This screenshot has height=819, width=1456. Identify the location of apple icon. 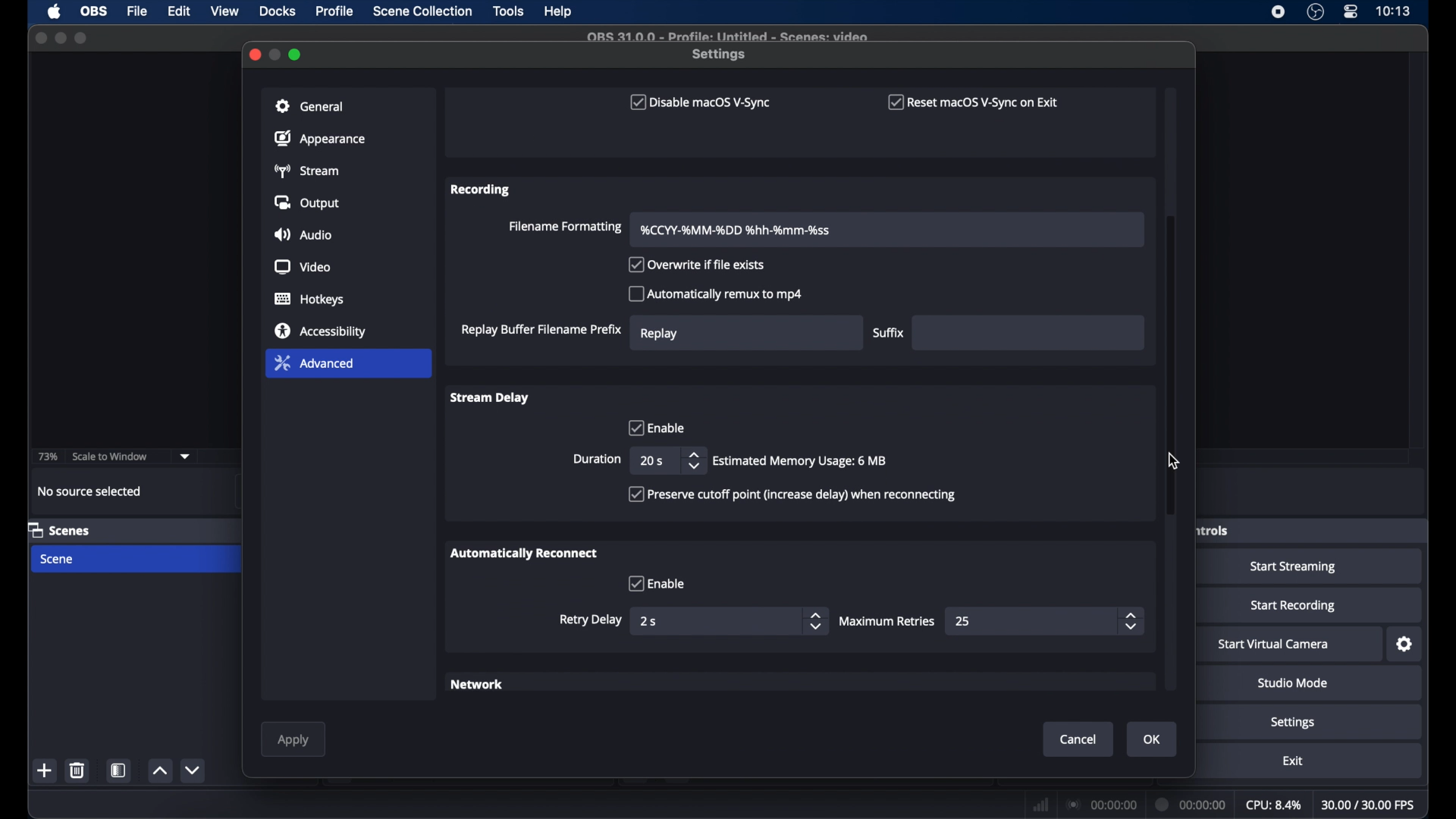
(55, 12).